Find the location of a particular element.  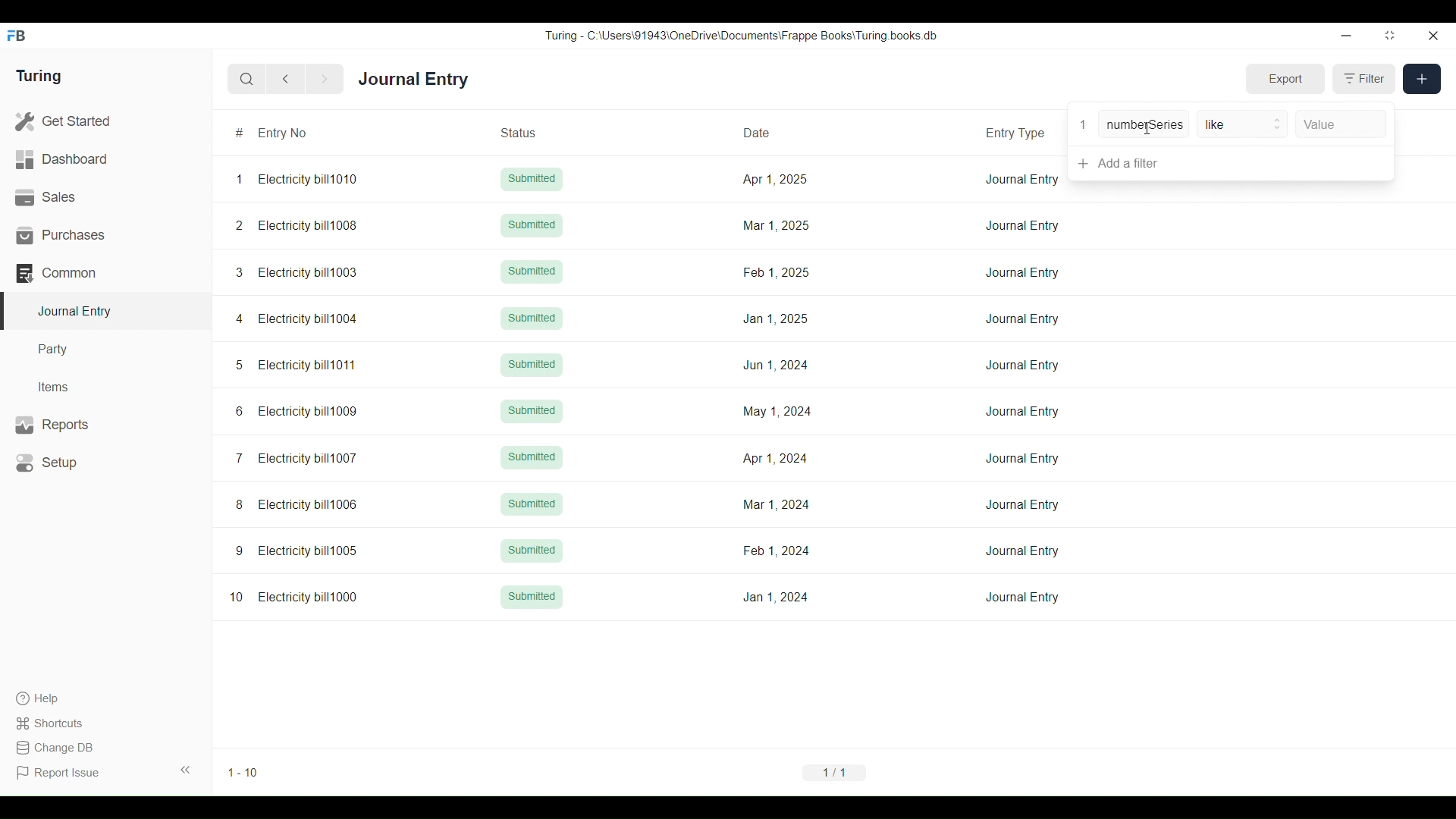

Status is located at coordinates (536, 132).